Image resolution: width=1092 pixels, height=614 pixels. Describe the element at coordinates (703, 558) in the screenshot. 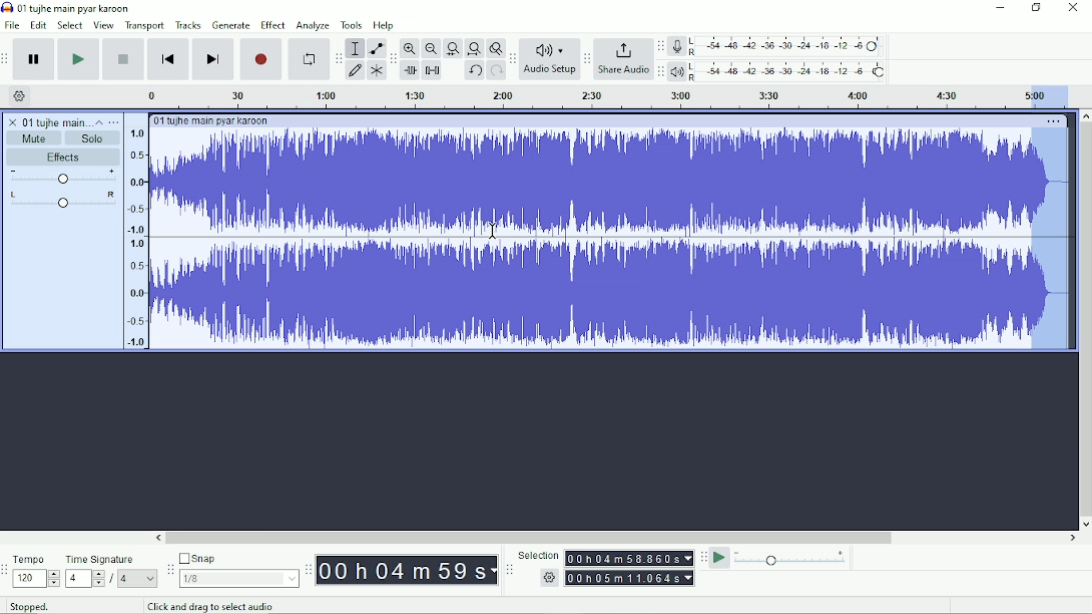

I see `Audacity play-at-speed toolbar` at that location.